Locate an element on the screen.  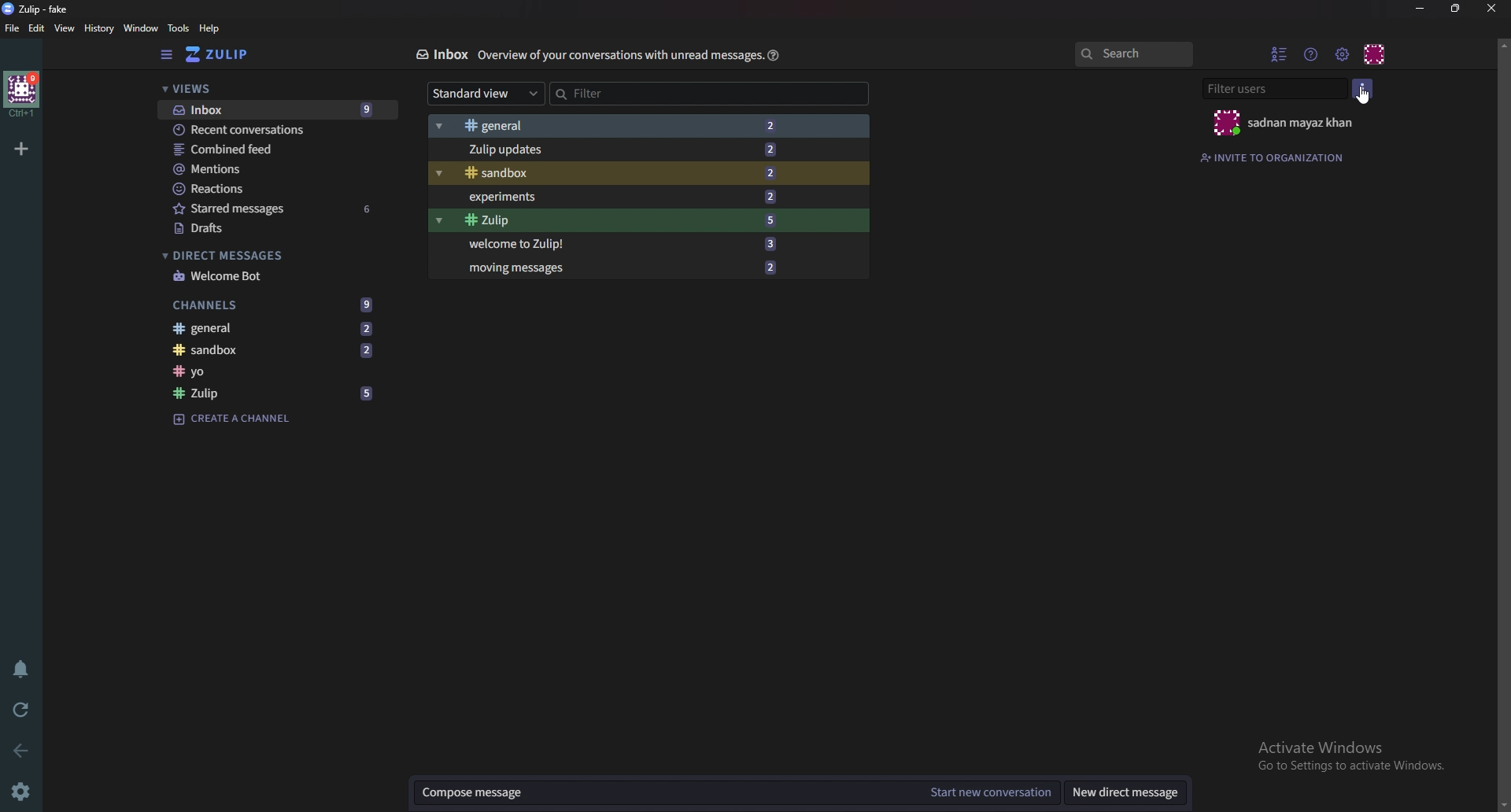
Info is located at coordinates (619, 57).